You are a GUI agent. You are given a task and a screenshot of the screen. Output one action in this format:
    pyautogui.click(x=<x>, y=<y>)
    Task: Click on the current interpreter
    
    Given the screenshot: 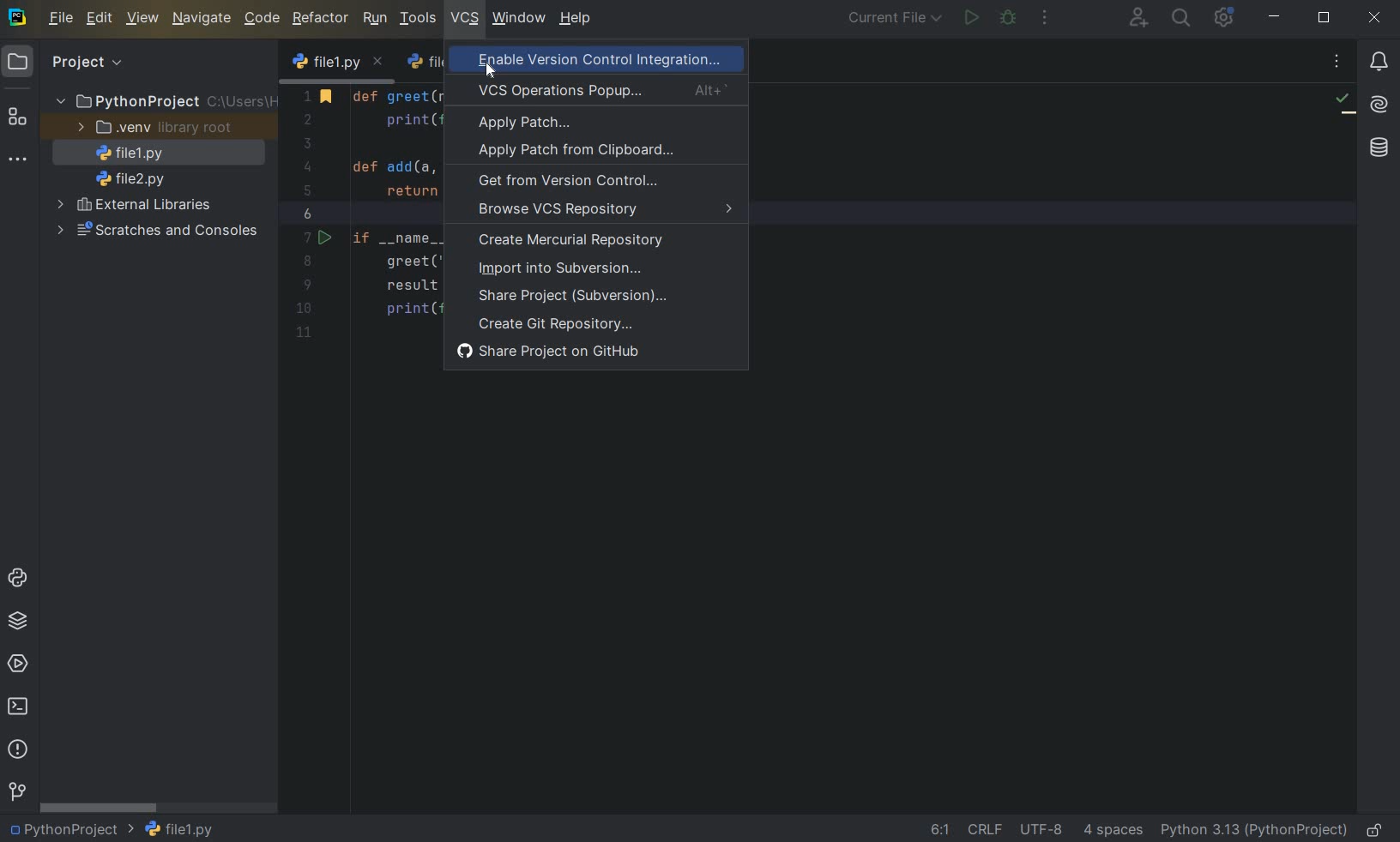 What is the action you would take?
    pyautogui.click(x=1253, y=830)
    